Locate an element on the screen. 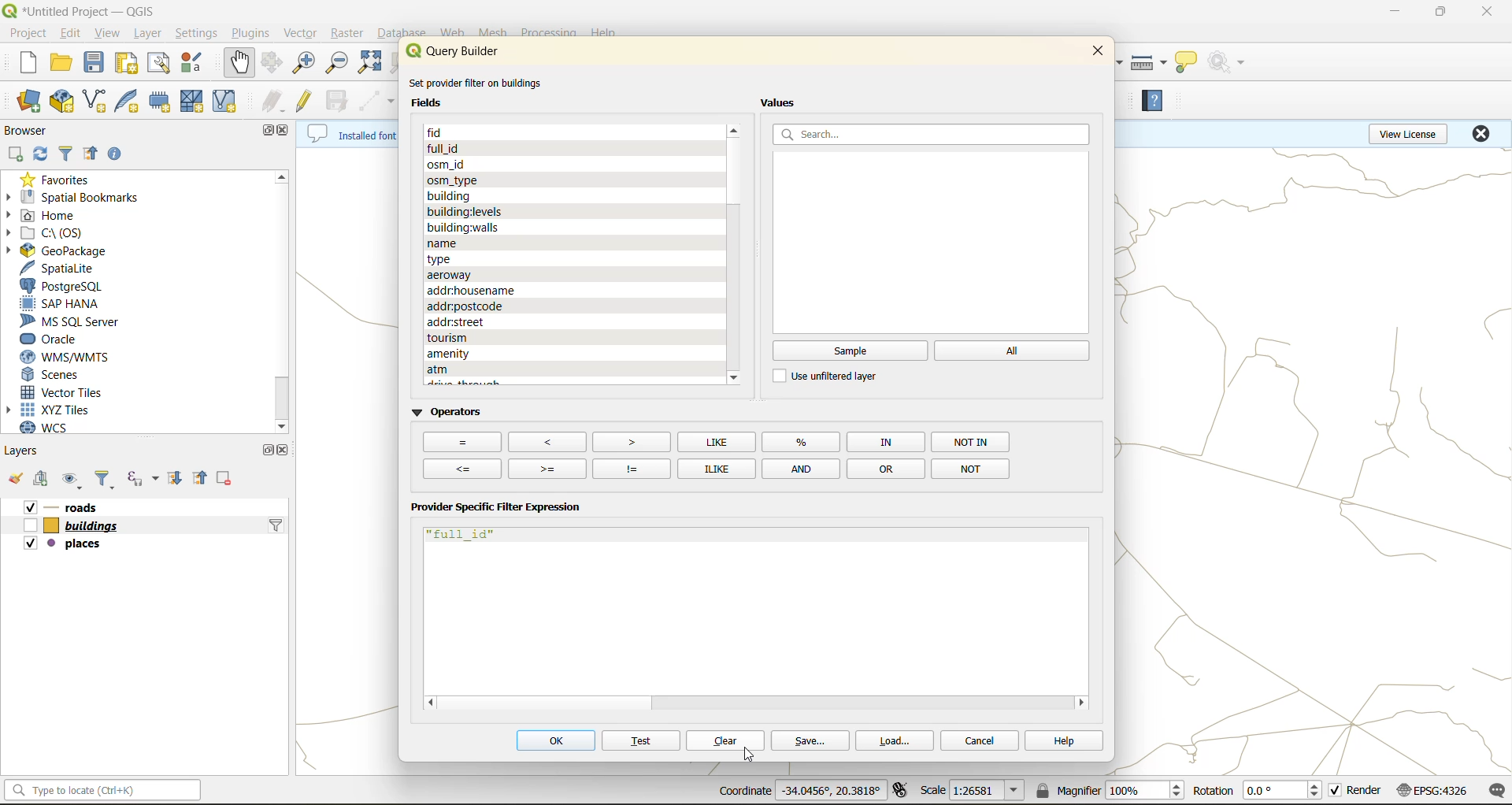 Image resolution: width=1512 pixels, height=805 pixels. opertators is located at coordinates (465, 468).